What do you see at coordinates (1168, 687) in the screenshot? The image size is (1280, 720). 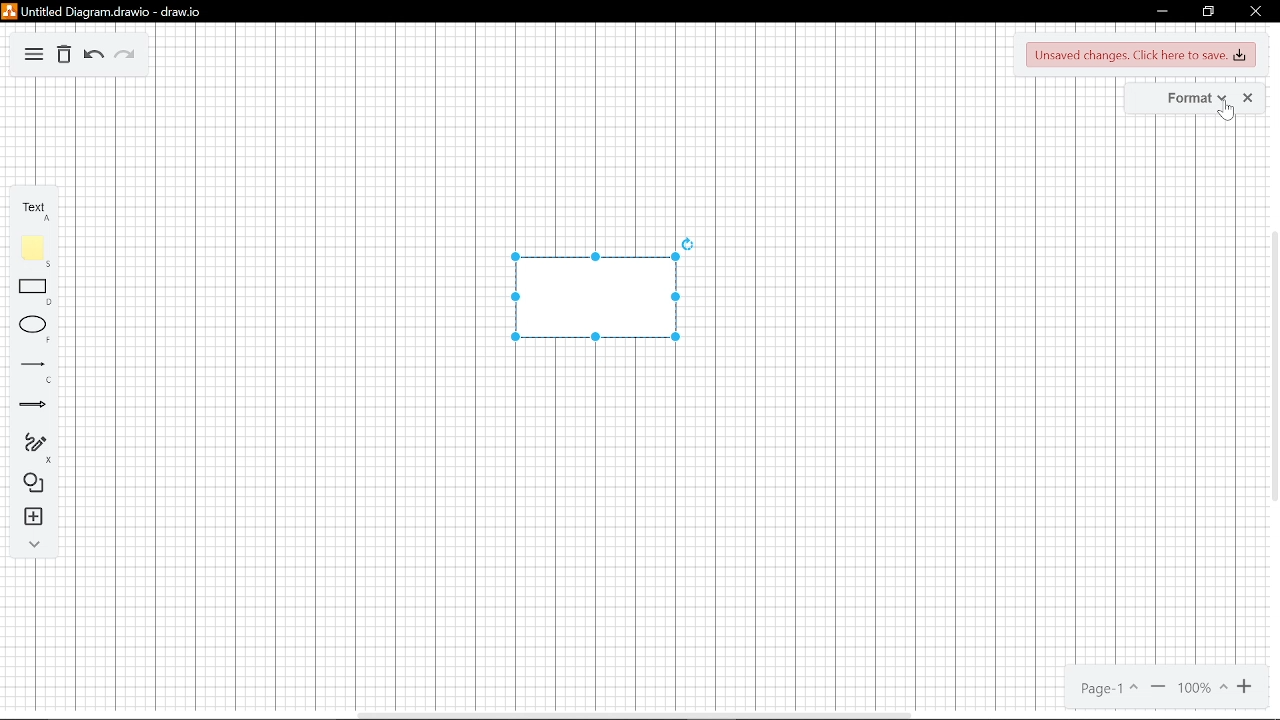 I see `Page-1~ — 100% ~ +` at bounding box center [1168, 687].